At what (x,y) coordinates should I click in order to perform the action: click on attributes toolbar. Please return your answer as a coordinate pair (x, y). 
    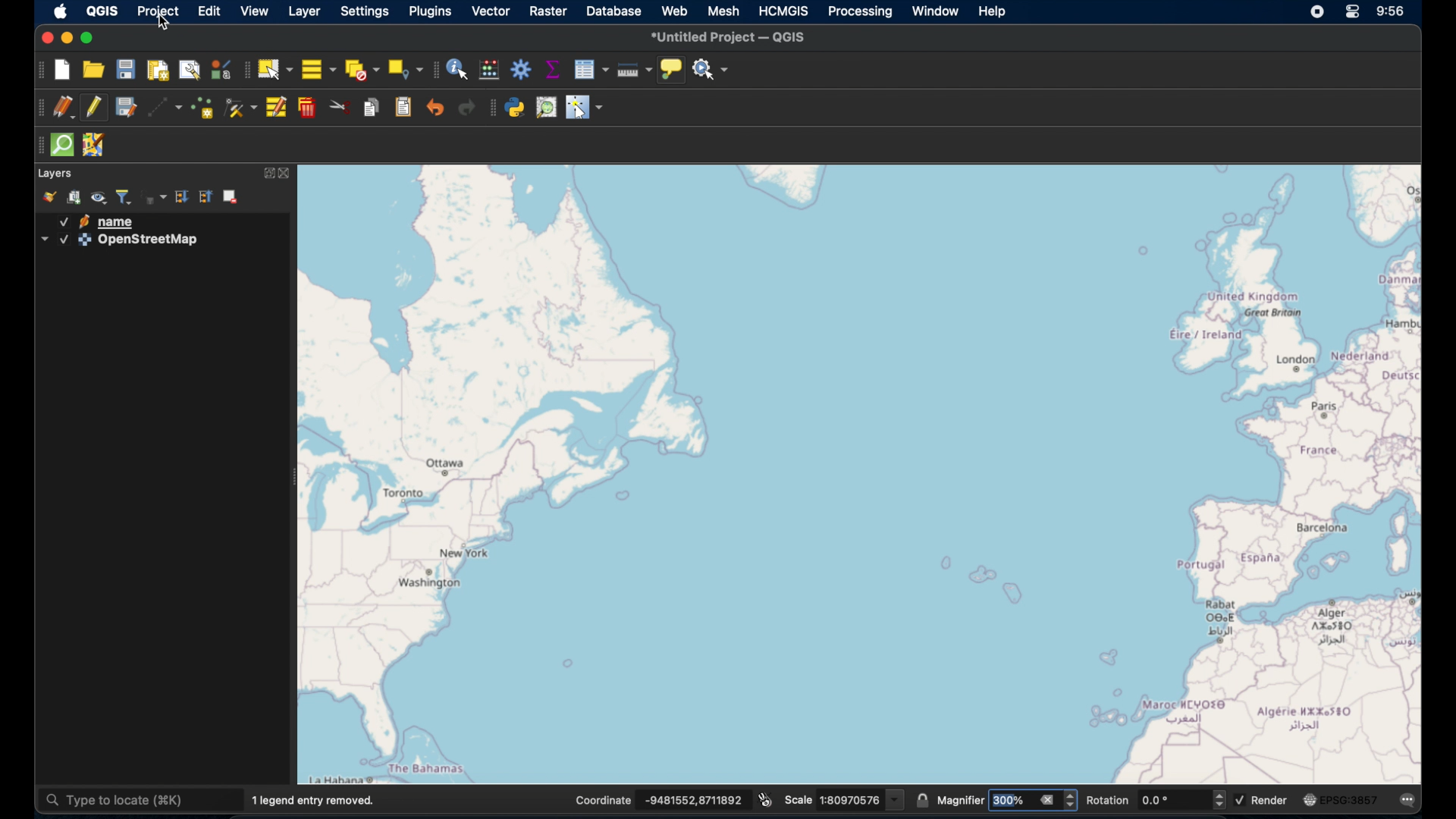
    Looking at the image, I should click on (435, 70).